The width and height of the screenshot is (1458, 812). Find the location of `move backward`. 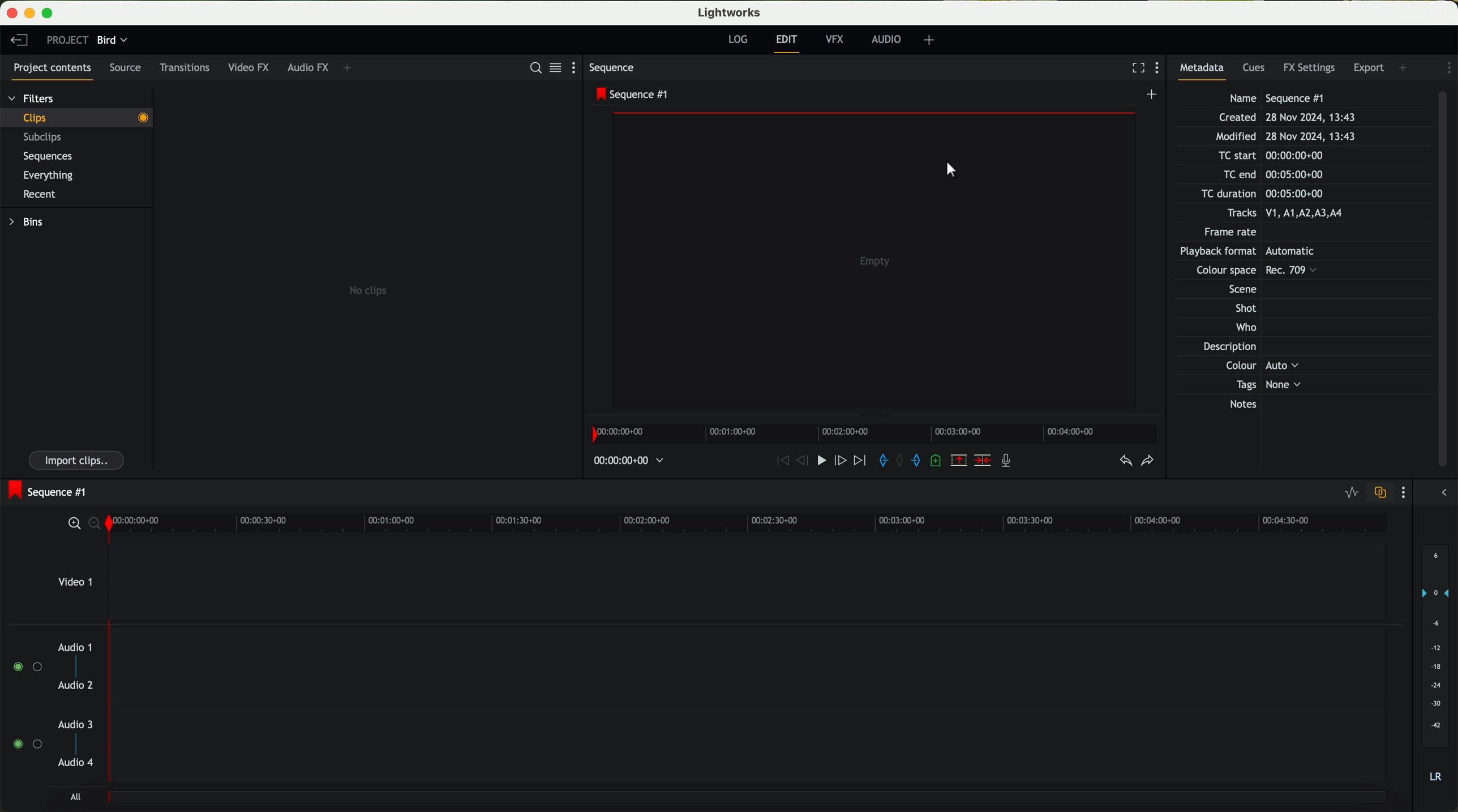

move backward is located at coordinates (778, 462).